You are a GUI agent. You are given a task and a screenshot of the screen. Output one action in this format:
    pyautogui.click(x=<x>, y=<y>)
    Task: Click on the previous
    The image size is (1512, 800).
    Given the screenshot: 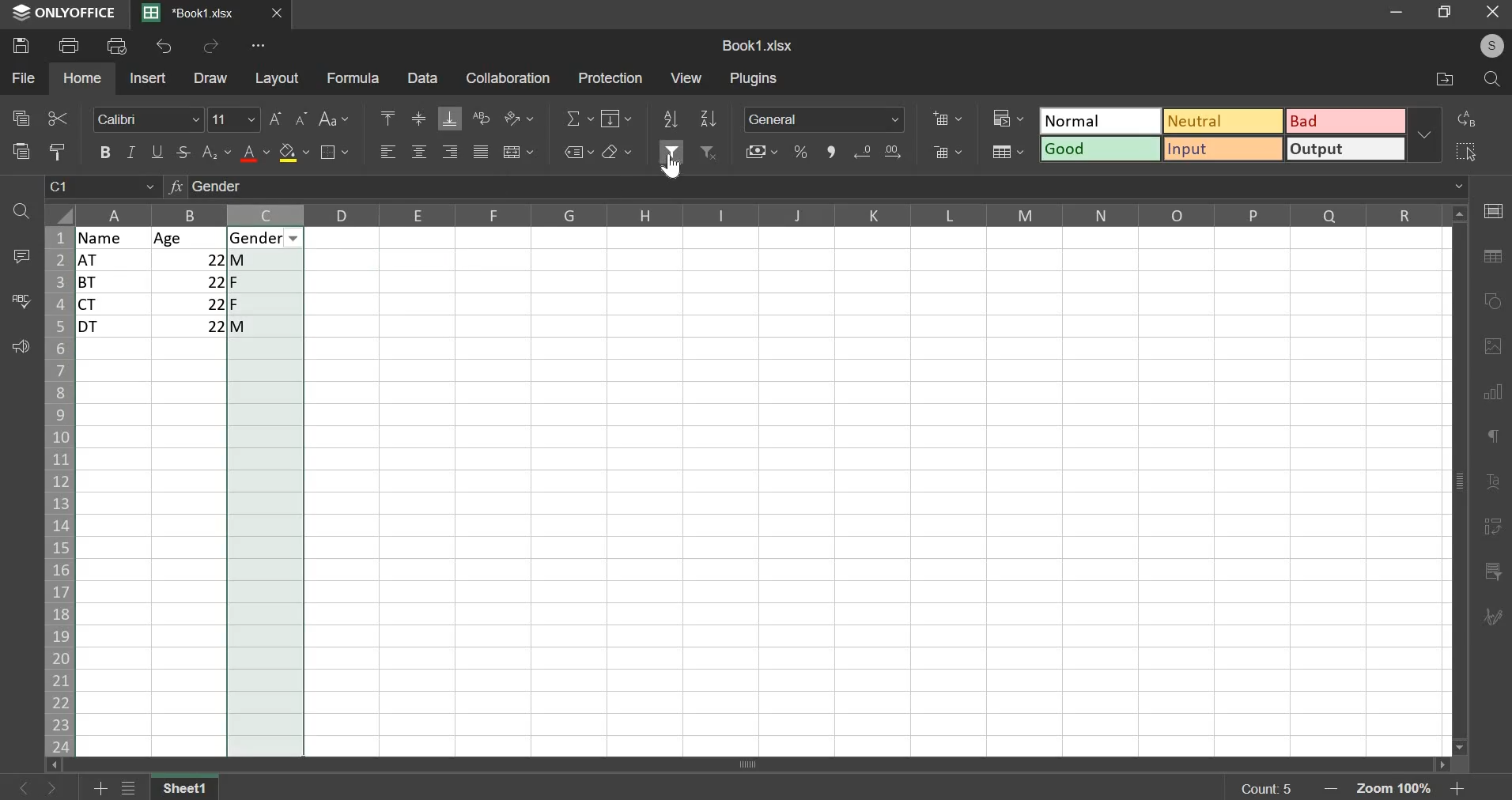 What is the action you would take?
    pyautogui.click(x=58, y=787)
    